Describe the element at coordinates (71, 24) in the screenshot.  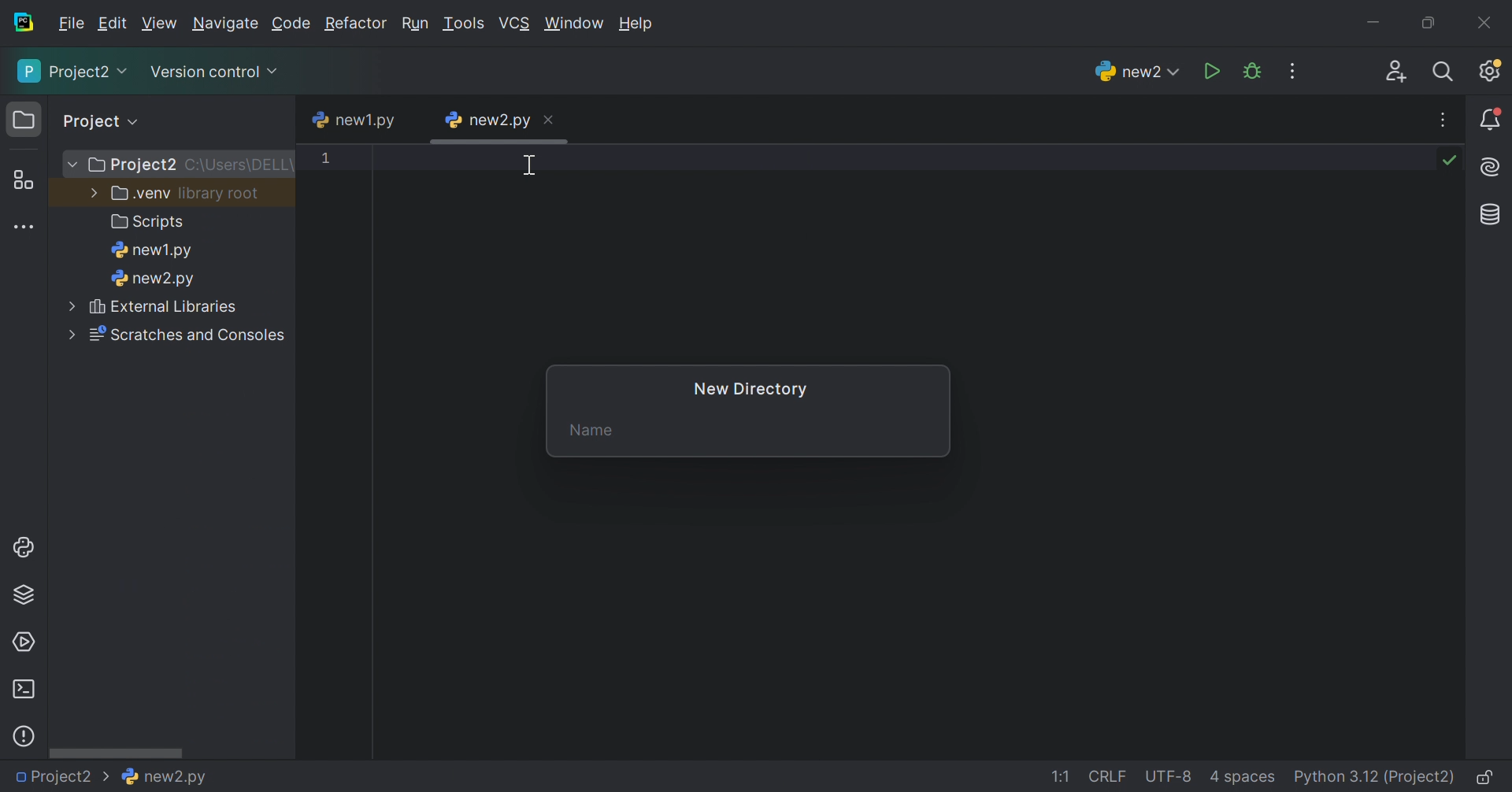
I see `File` at that location.